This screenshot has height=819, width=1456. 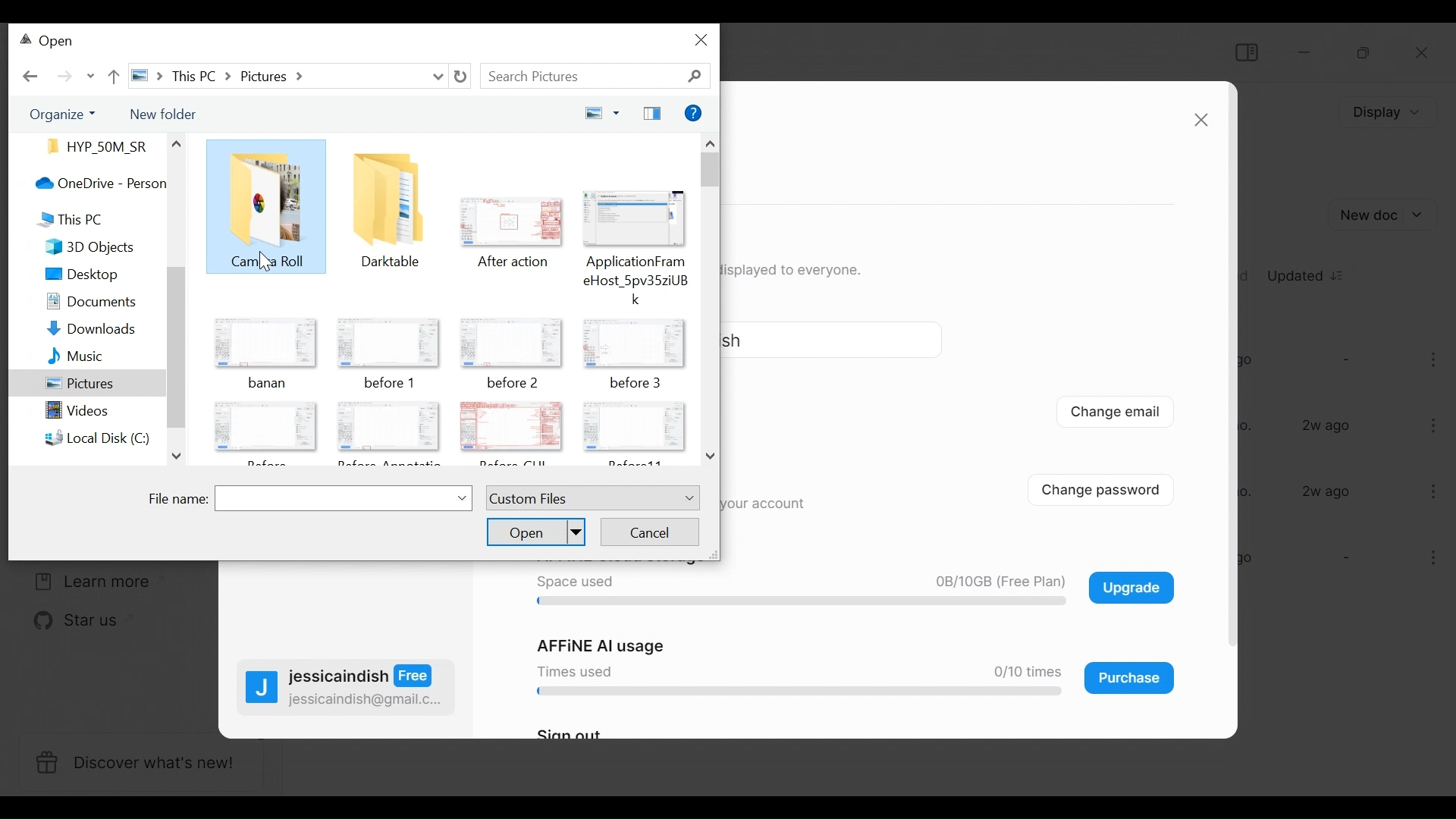 What do you see at coordinates (1200, 121) in the screenshot?
I see `close` at bounding box center [1200, 121].